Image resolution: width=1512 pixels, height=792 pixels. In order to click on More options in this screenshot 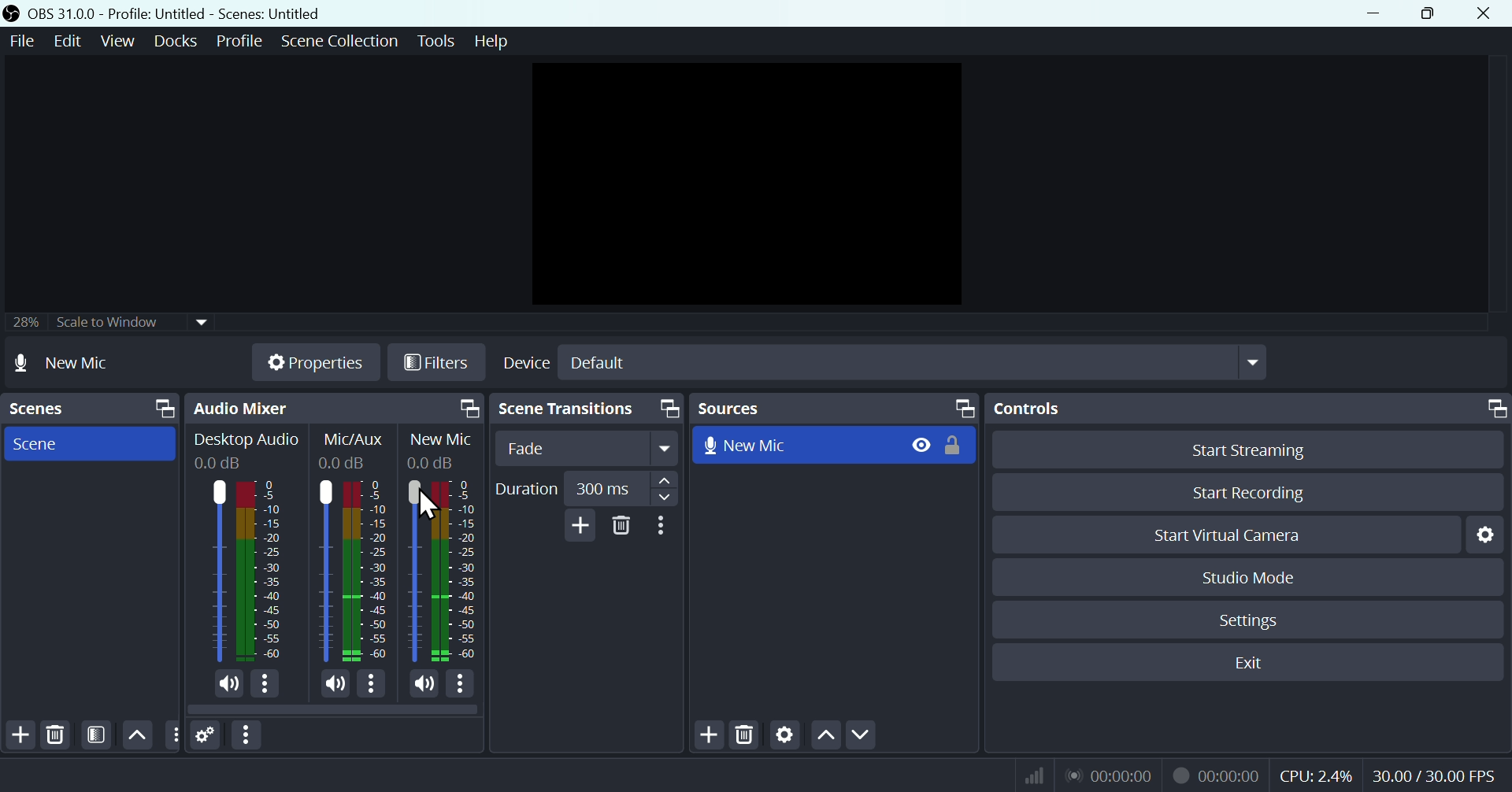, I will do `click(266, 685)`.